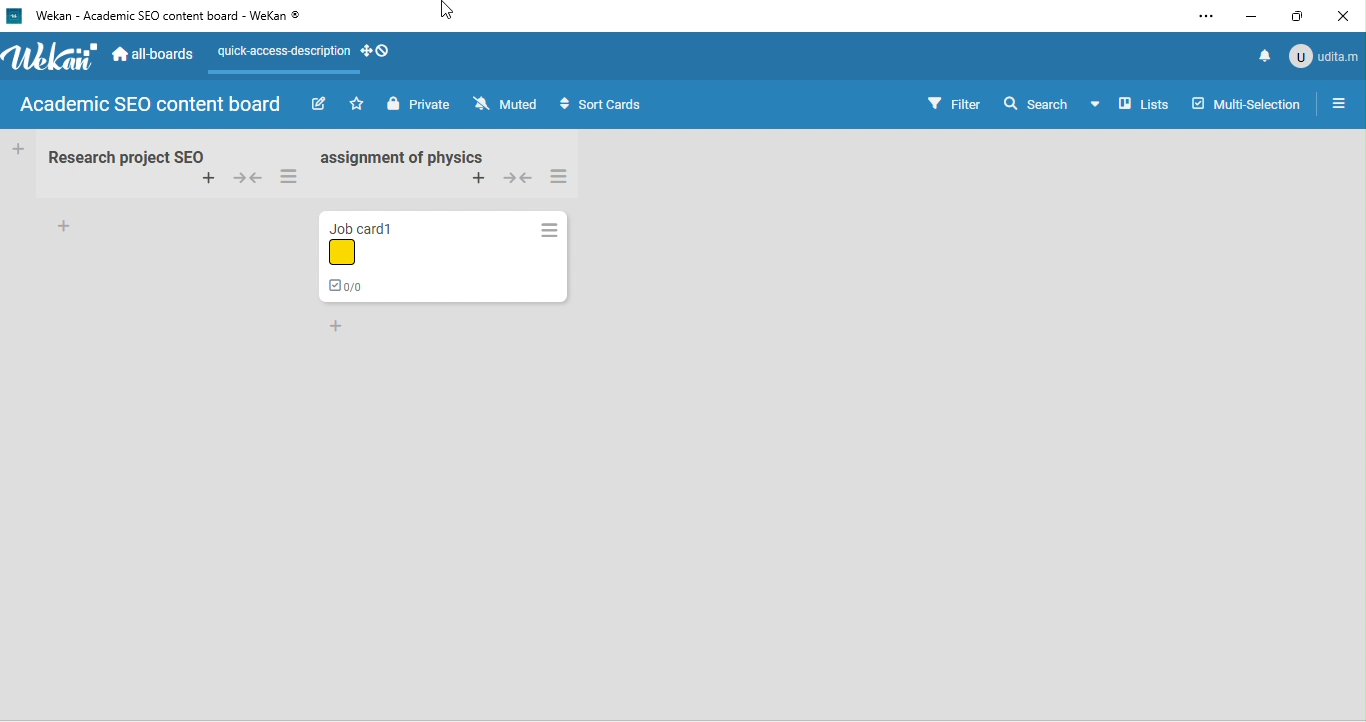 The image size is (1366, 722). Describe the element at coordinates (17, 148) in the screenshot. I see `Add Card` at that location.